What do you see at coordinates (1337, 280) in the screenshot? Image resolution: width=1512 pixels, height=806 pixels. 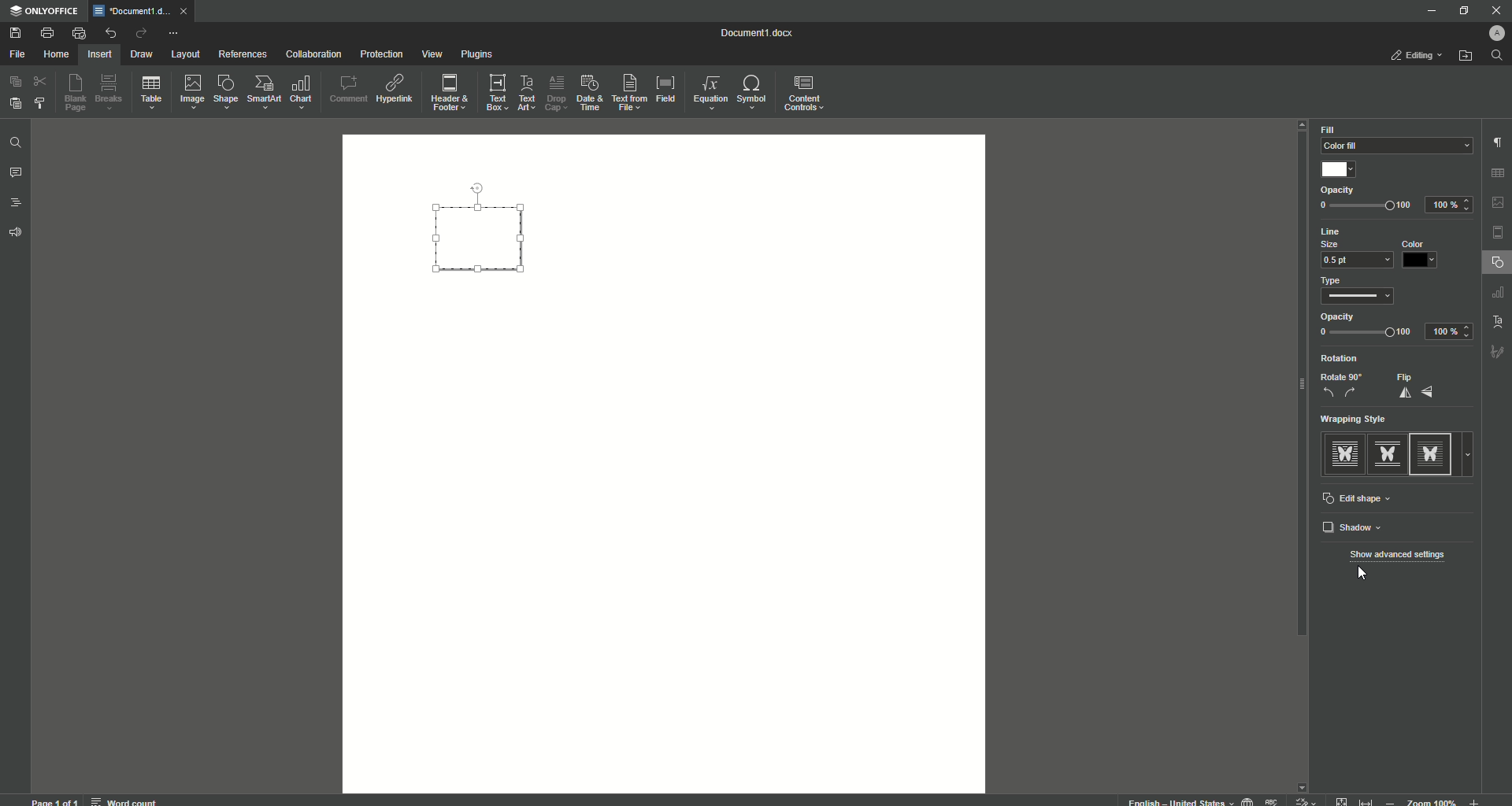 I see `Type` at bounding box center [1337, 280].